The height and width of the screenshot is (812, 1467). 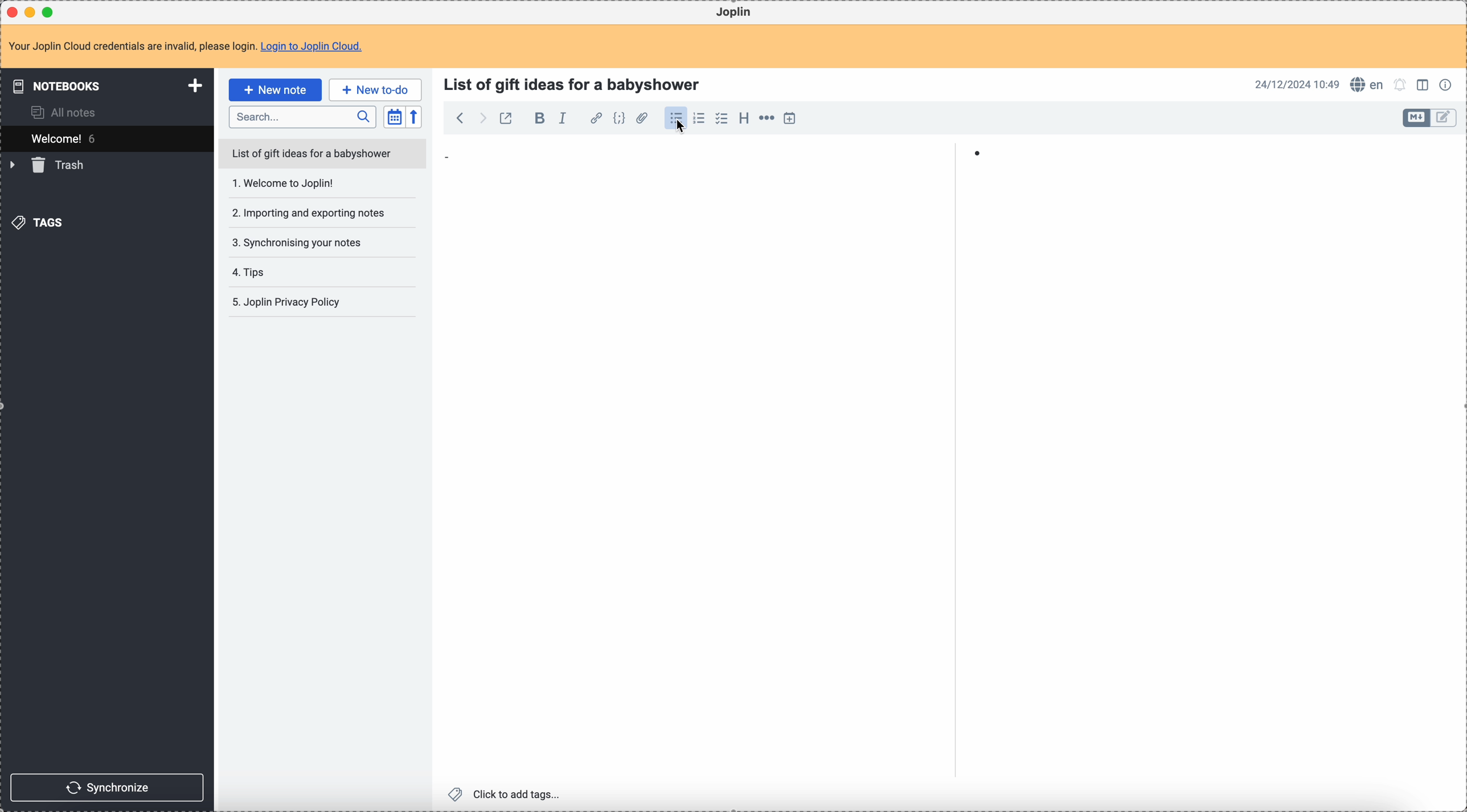 What do you see at coordinates (1448, 84) in the screenshot?
I see `note properties` at bounding box center [1448, 84].